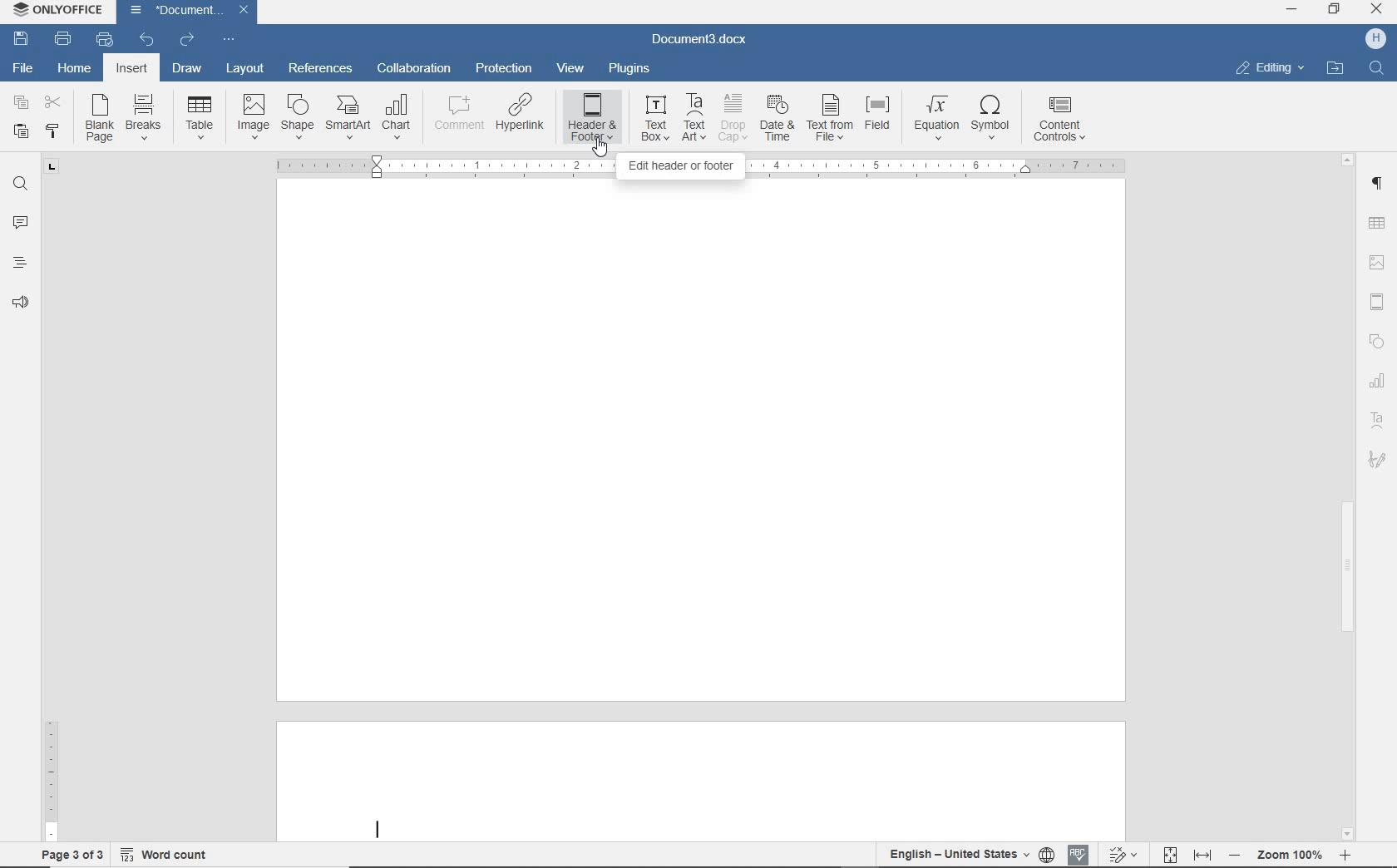  Describe the element at coordinates (185, 70) in the screenshot. I see `DRAW` at that location.